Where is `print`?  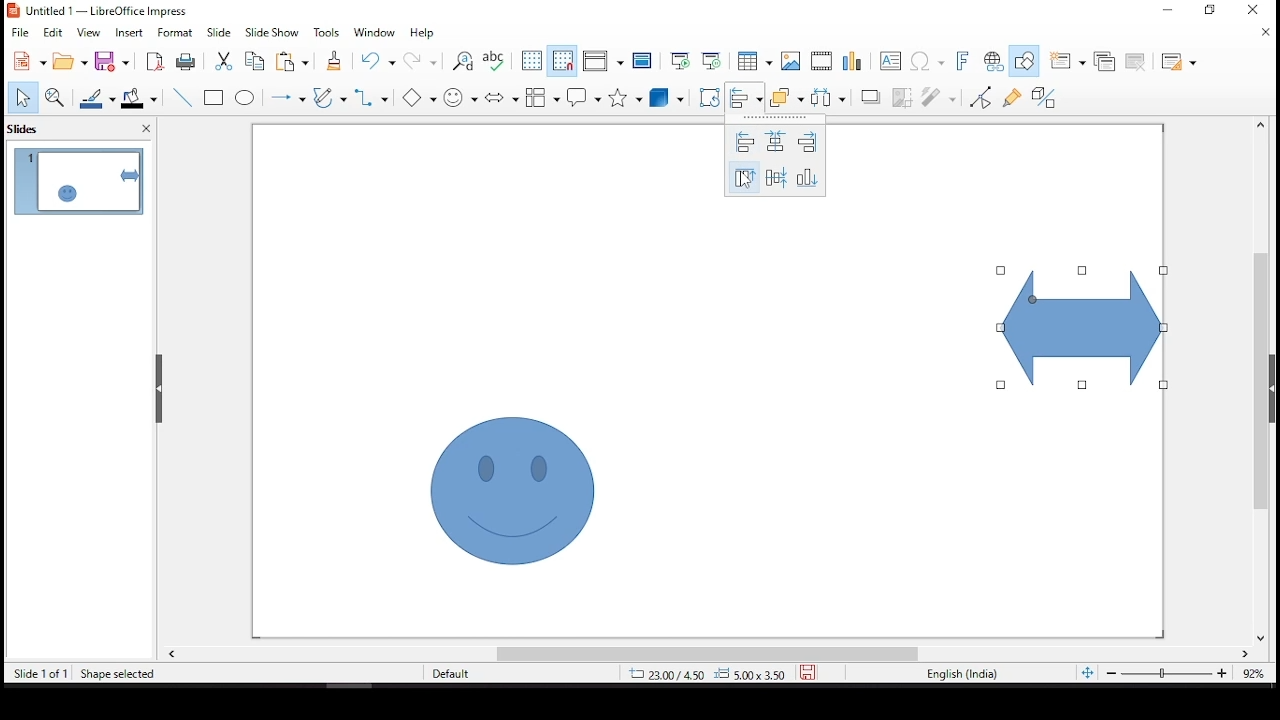 print is located at coordinates (185, 62).